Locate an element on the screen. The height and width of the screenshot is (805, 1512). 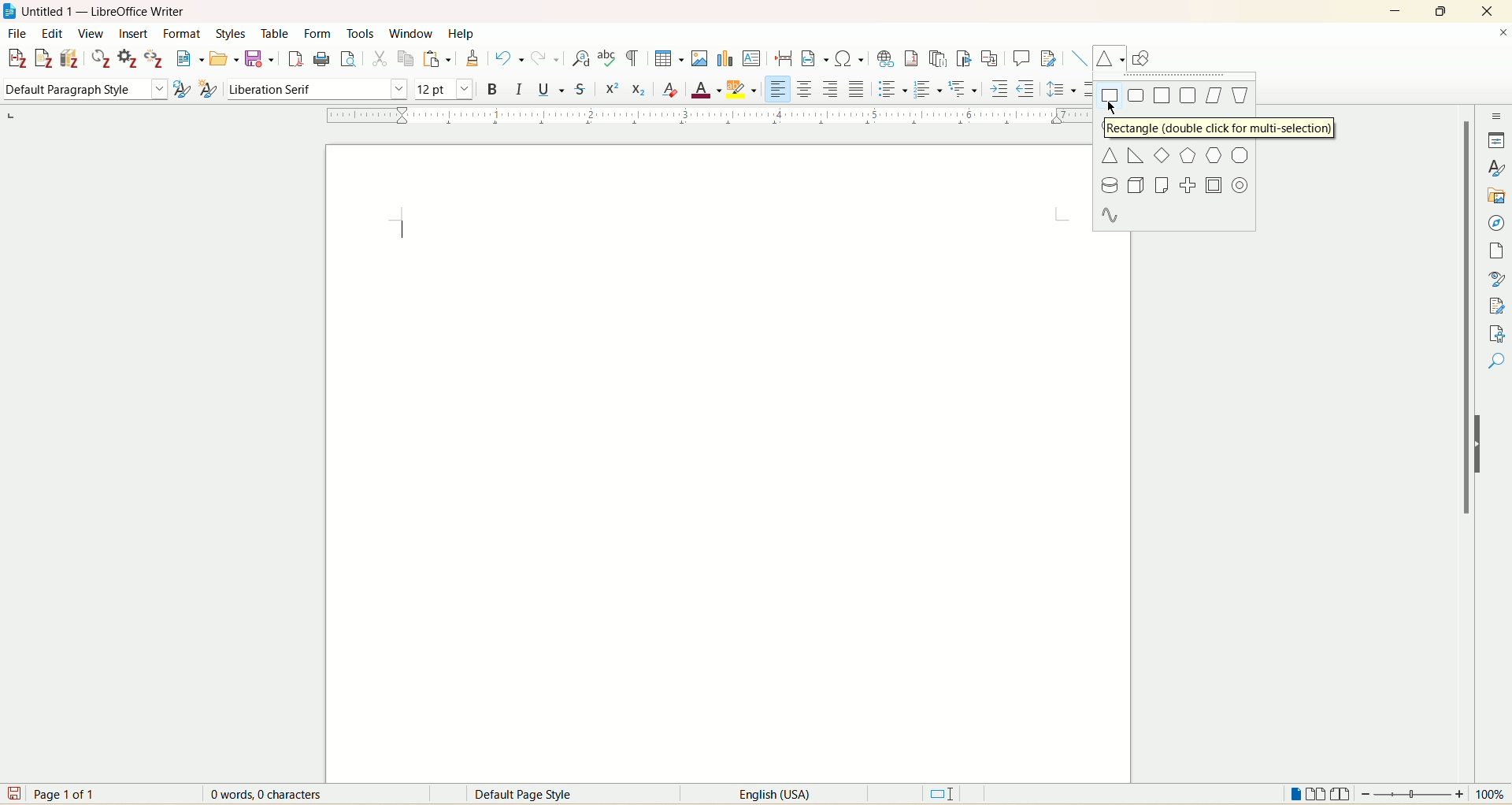
format is located at coordinates (185, 34).